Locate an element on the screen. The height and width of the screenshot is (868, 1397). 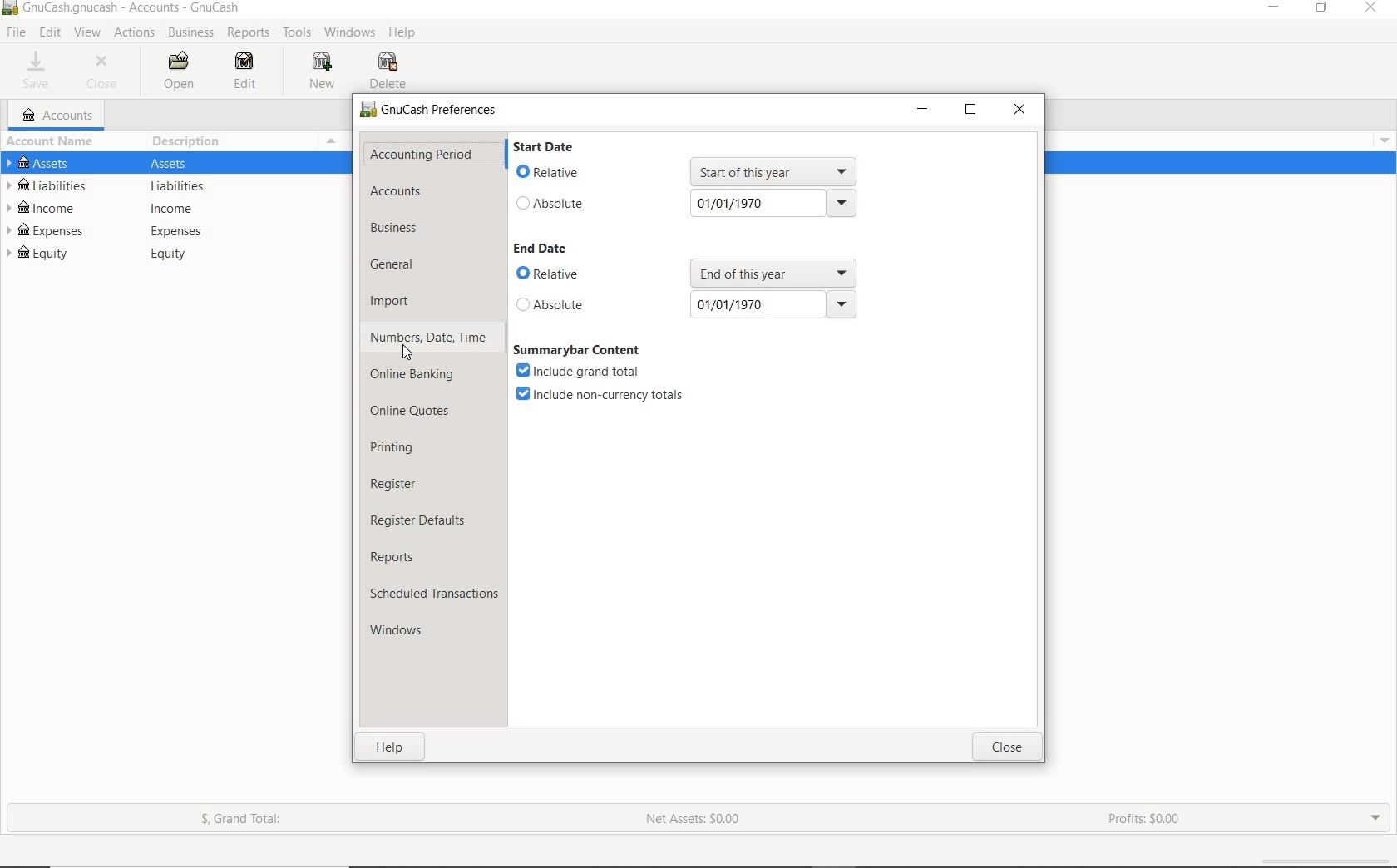
MINIMIZE is located at coordinates (1276, 9).